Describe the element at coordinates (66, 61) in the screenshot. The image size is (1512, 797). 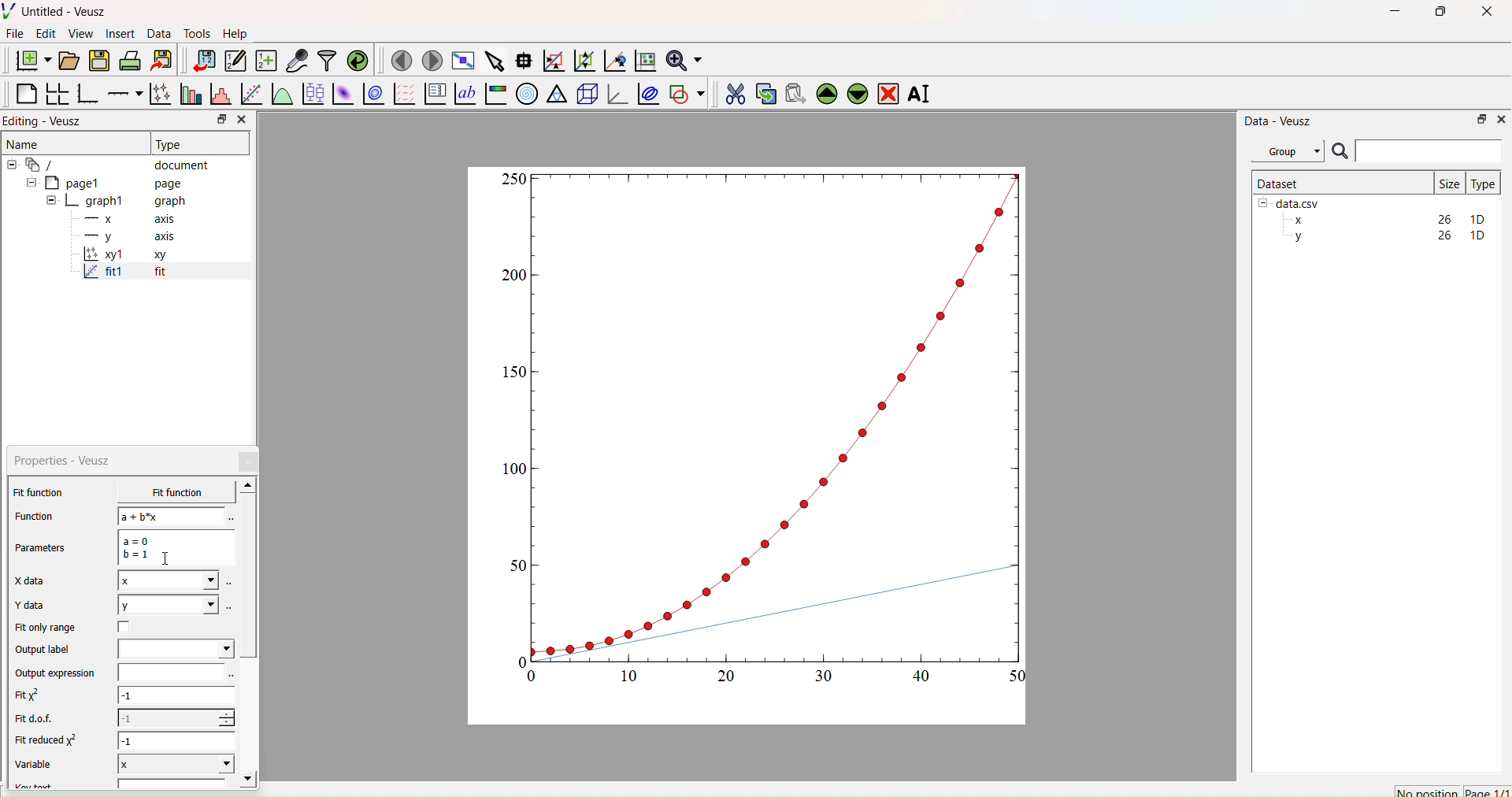
I see `Open` at that location.